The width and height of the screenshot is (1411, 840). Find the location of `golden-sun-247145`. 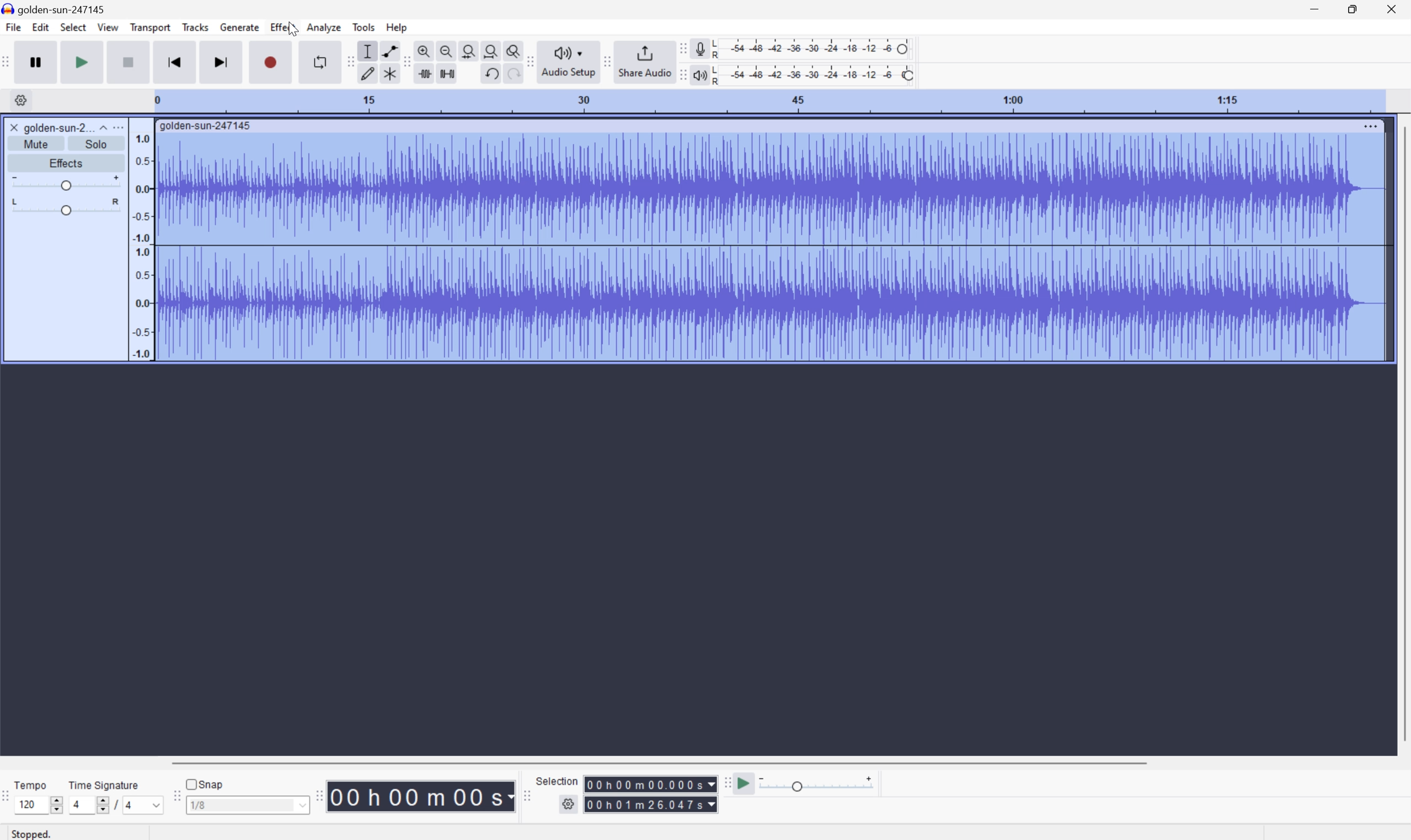

golden-sun-247145 is located at coordinates (207, 126).